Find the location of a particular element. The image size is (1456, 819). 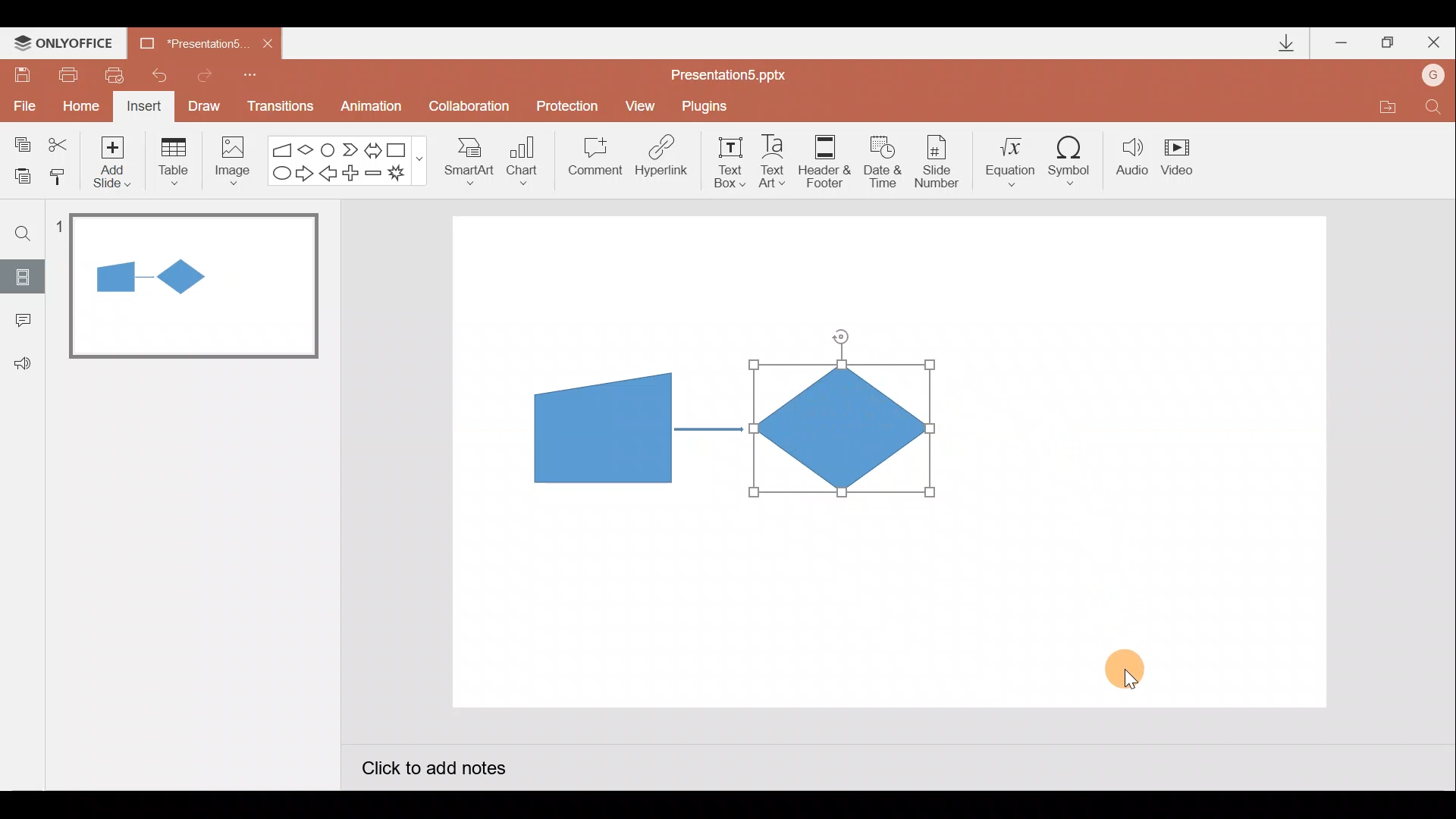

Equation is located at coordinates (1013, 159).